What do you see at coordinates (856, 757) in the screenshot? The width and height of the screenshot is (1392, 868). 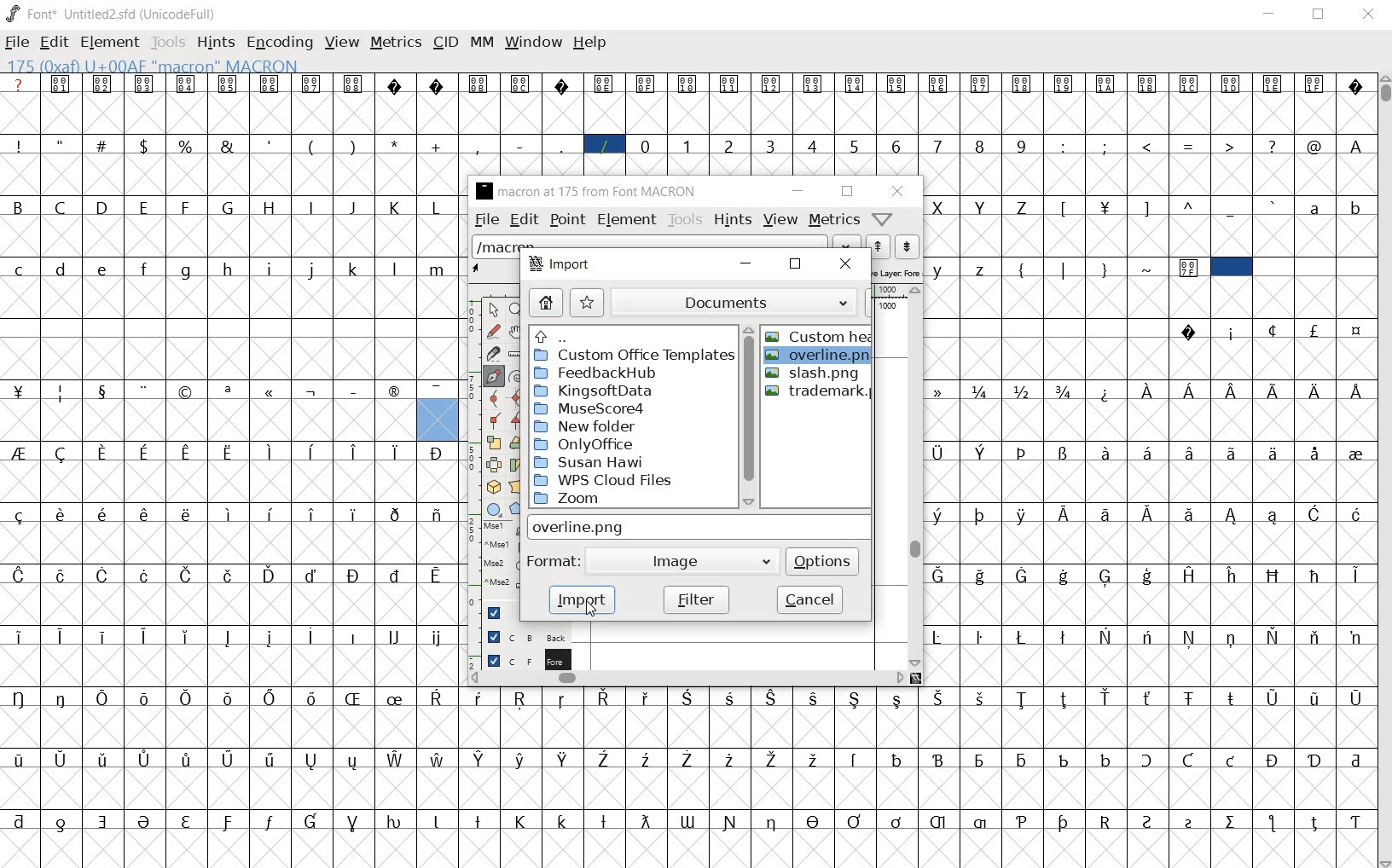 I see `Symbol` at bounding box center [856, 757].